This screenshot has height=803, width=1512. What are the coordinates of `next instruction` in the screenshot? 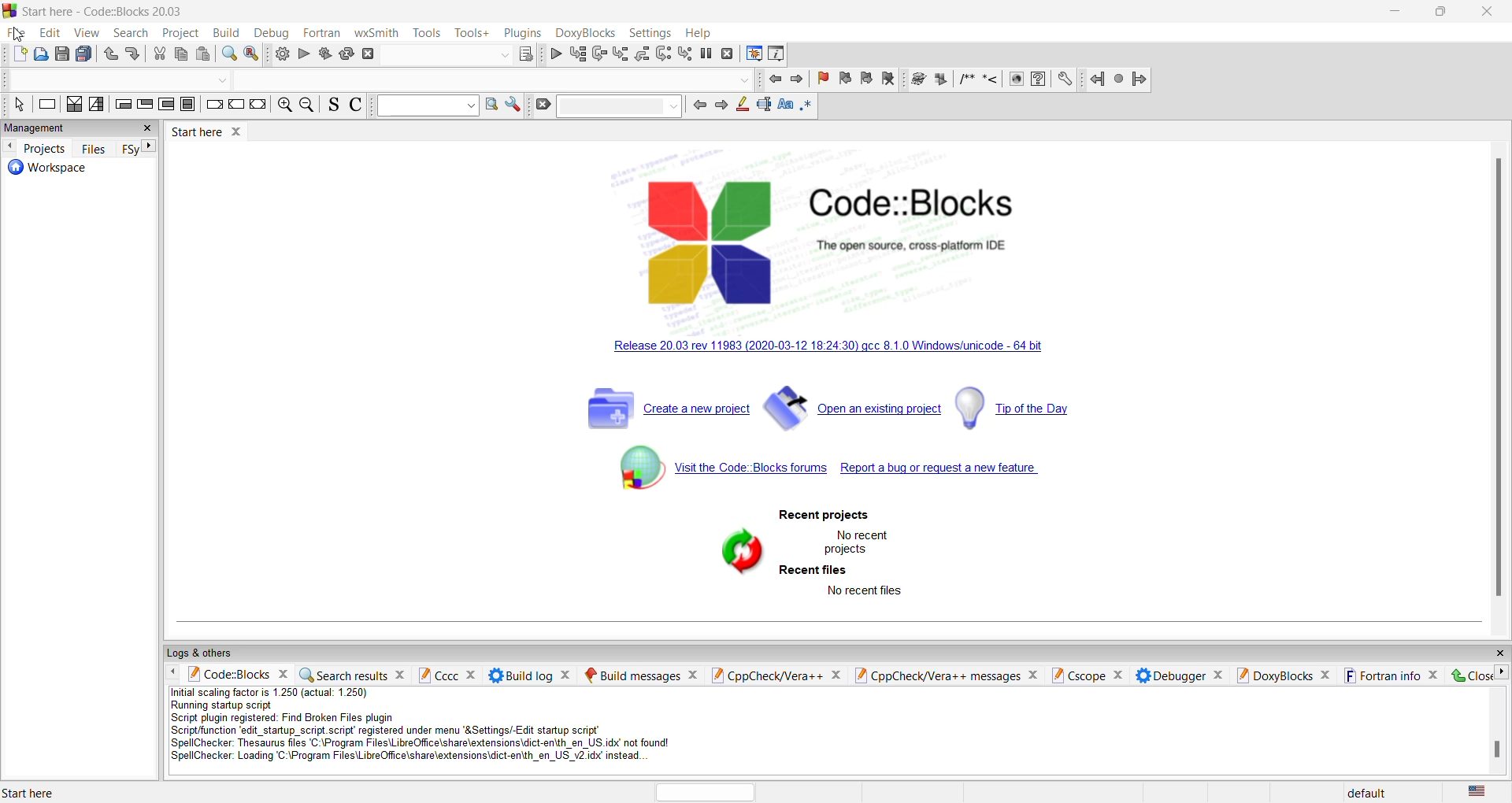 It's located at (664, 54).